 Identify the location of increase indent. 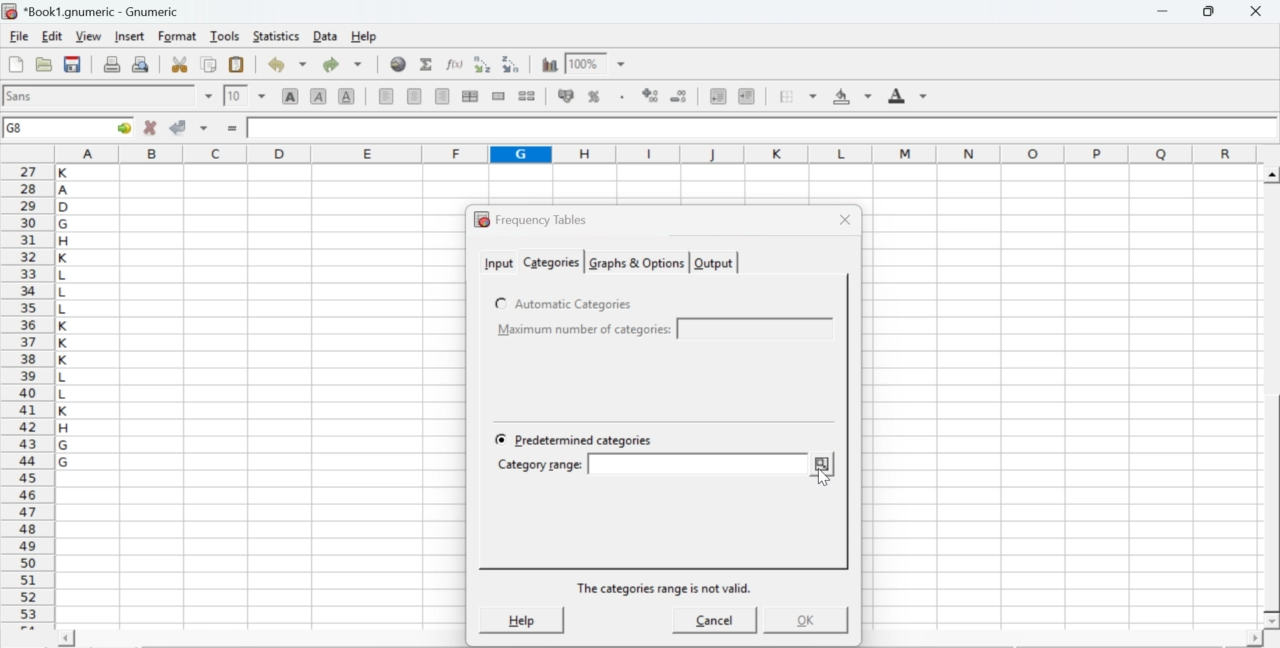
(746, 97).